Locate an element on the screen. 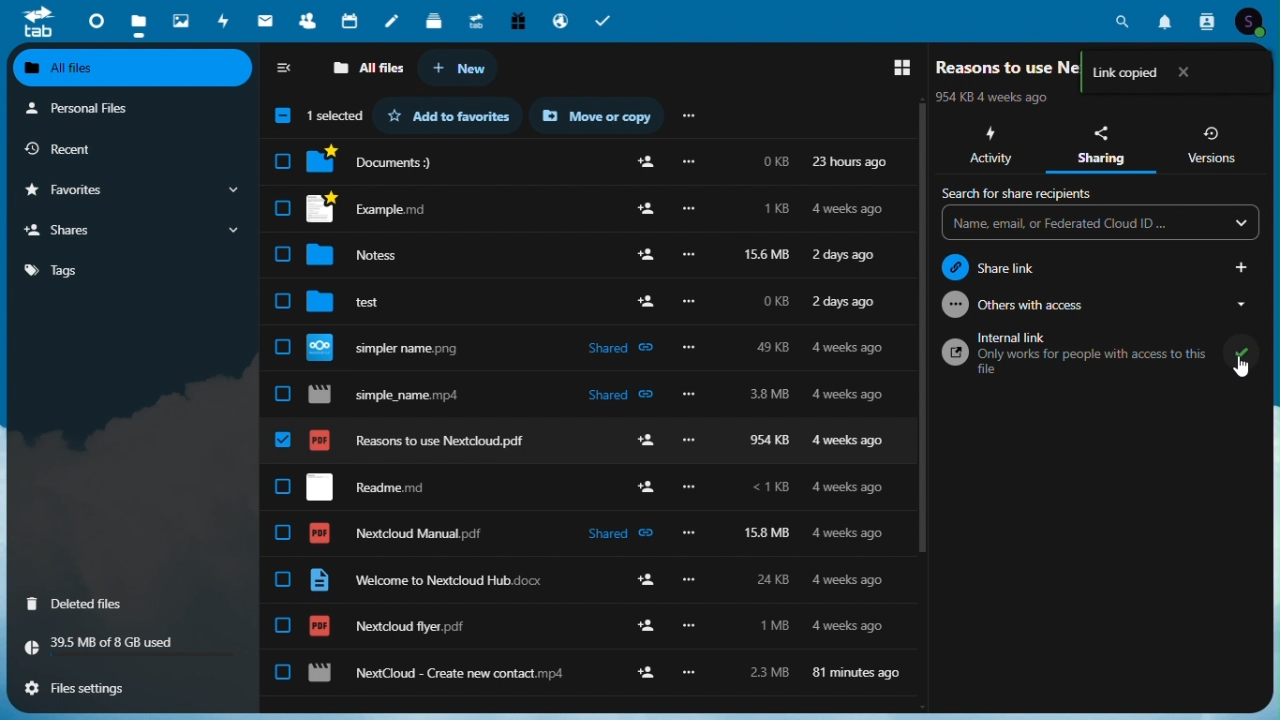 Image resolution: width=1280 pixels, height=720 pixels. deck is located at coordinates (434, 22).